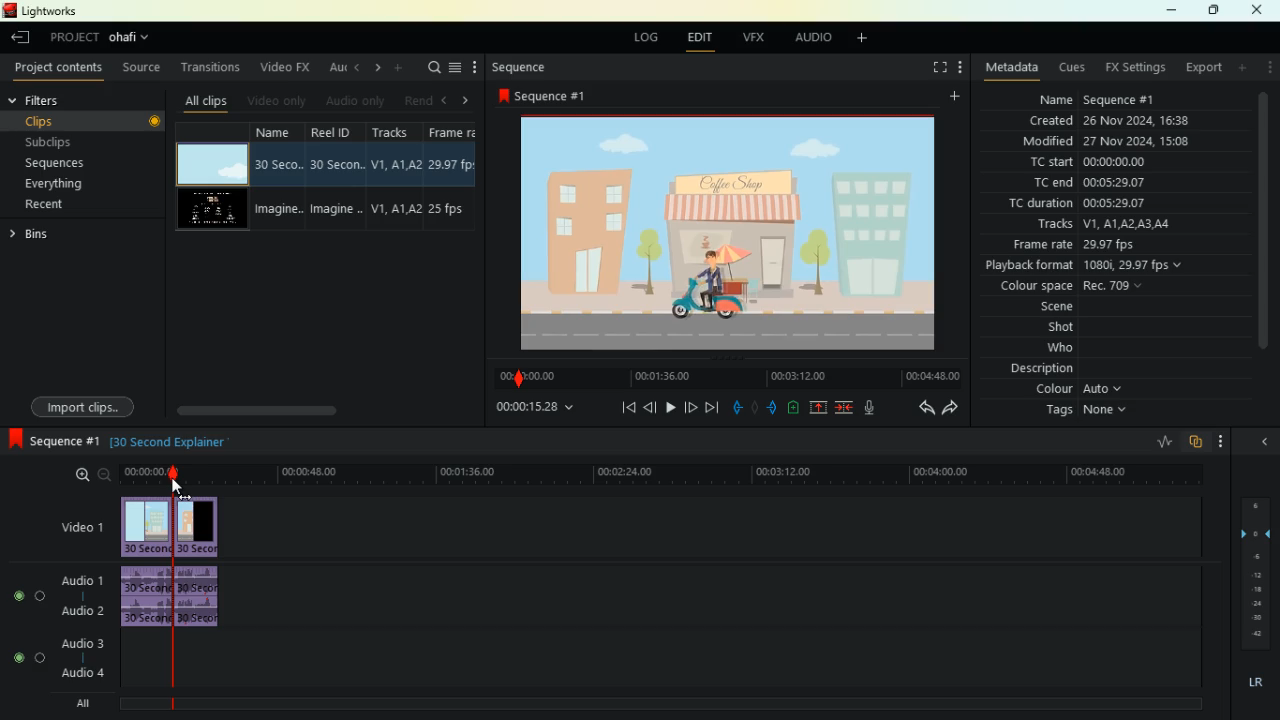 This screenshot has height=720, width=1280. What do you see at coordinates (70, 161) in the screenshot?
I see `sequences` at bounding box center [70, 161].